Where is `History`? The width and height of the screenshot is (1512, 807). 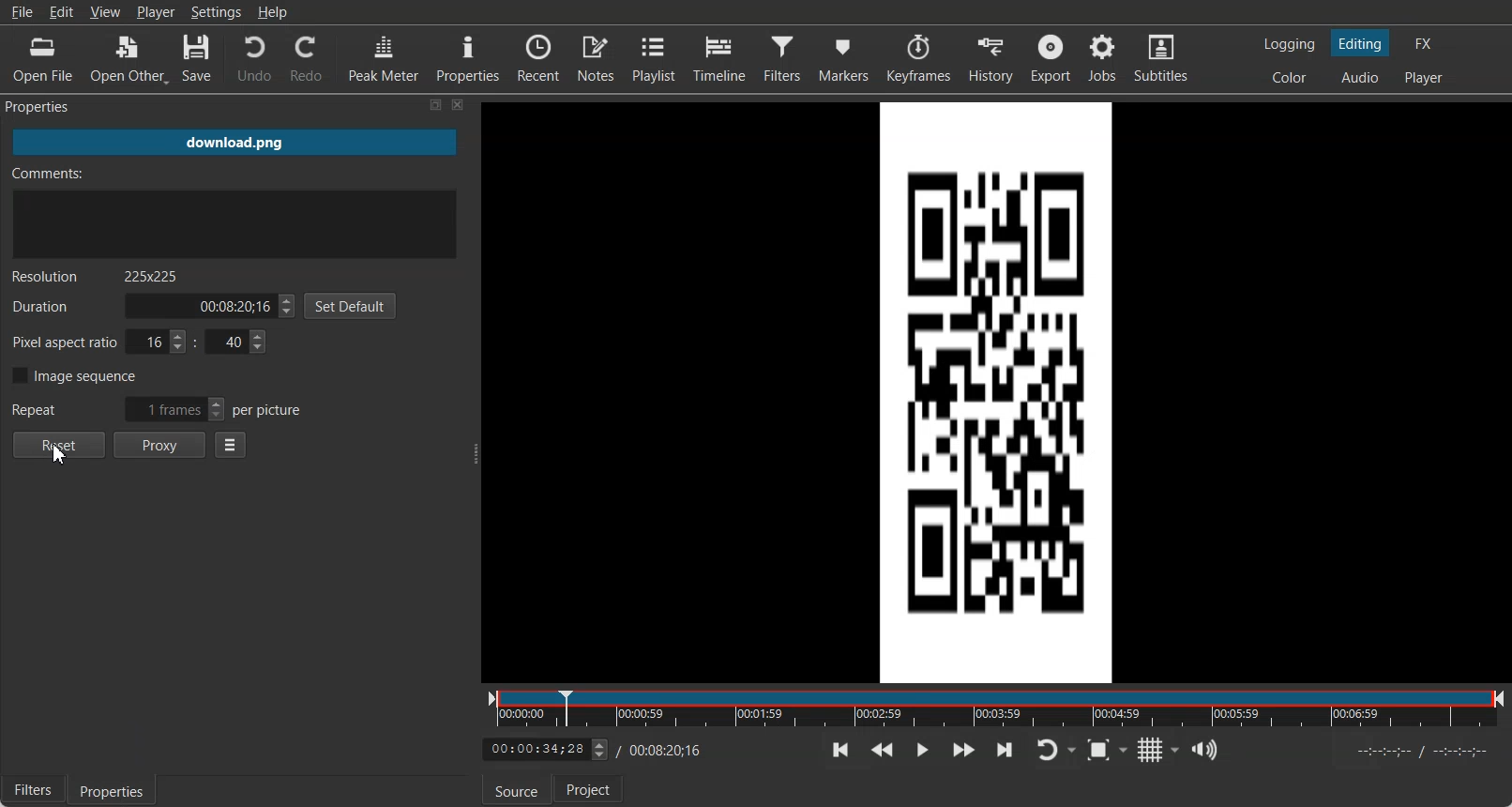
History is located at coordinates (990, 58).